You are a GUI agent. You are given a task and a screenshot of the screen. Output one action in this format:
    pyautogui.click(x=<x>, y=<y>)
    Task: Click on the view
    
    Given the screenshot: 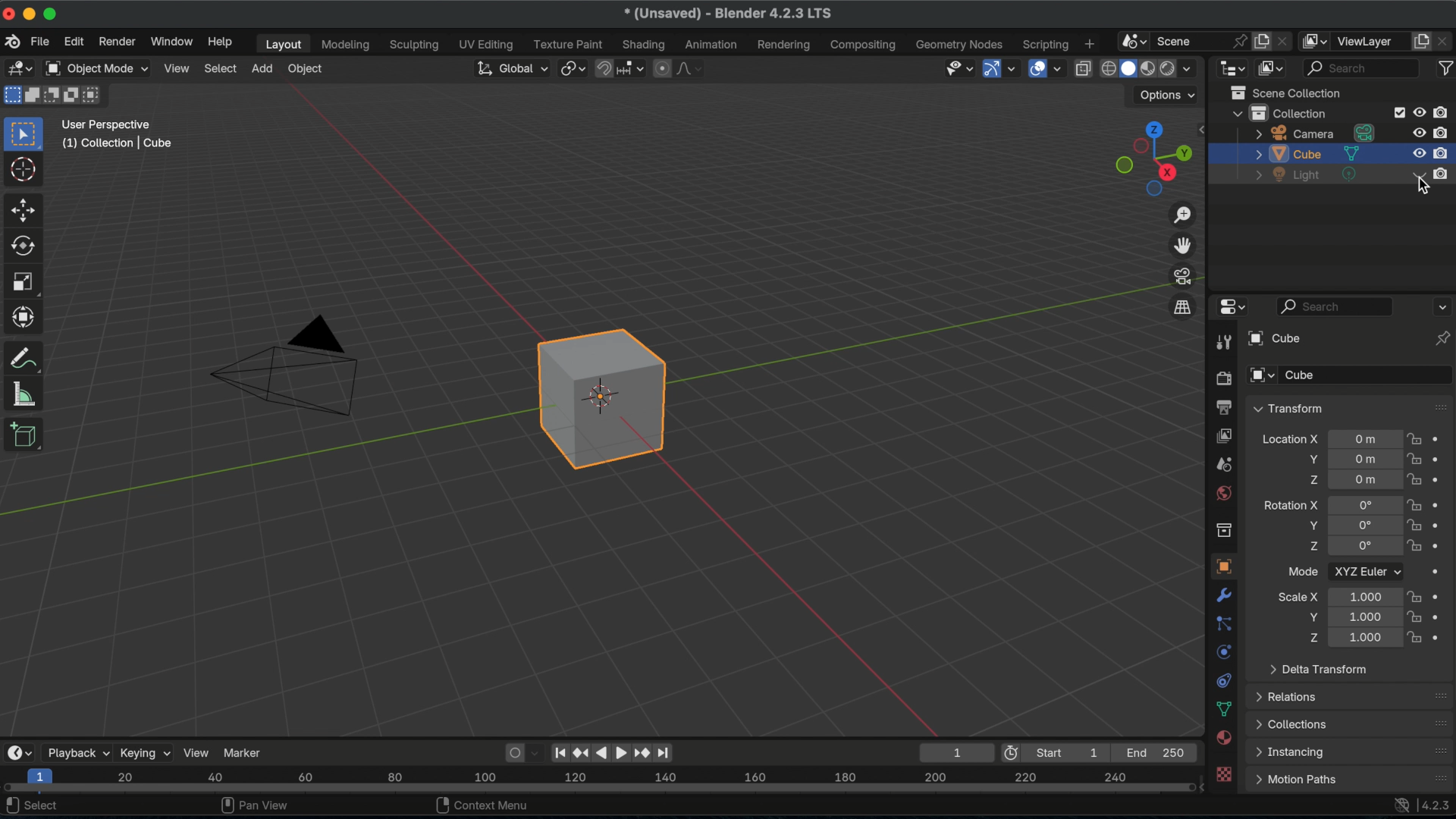 What is the action you would take?
    pyautogui.click(x=197, y=752)
    